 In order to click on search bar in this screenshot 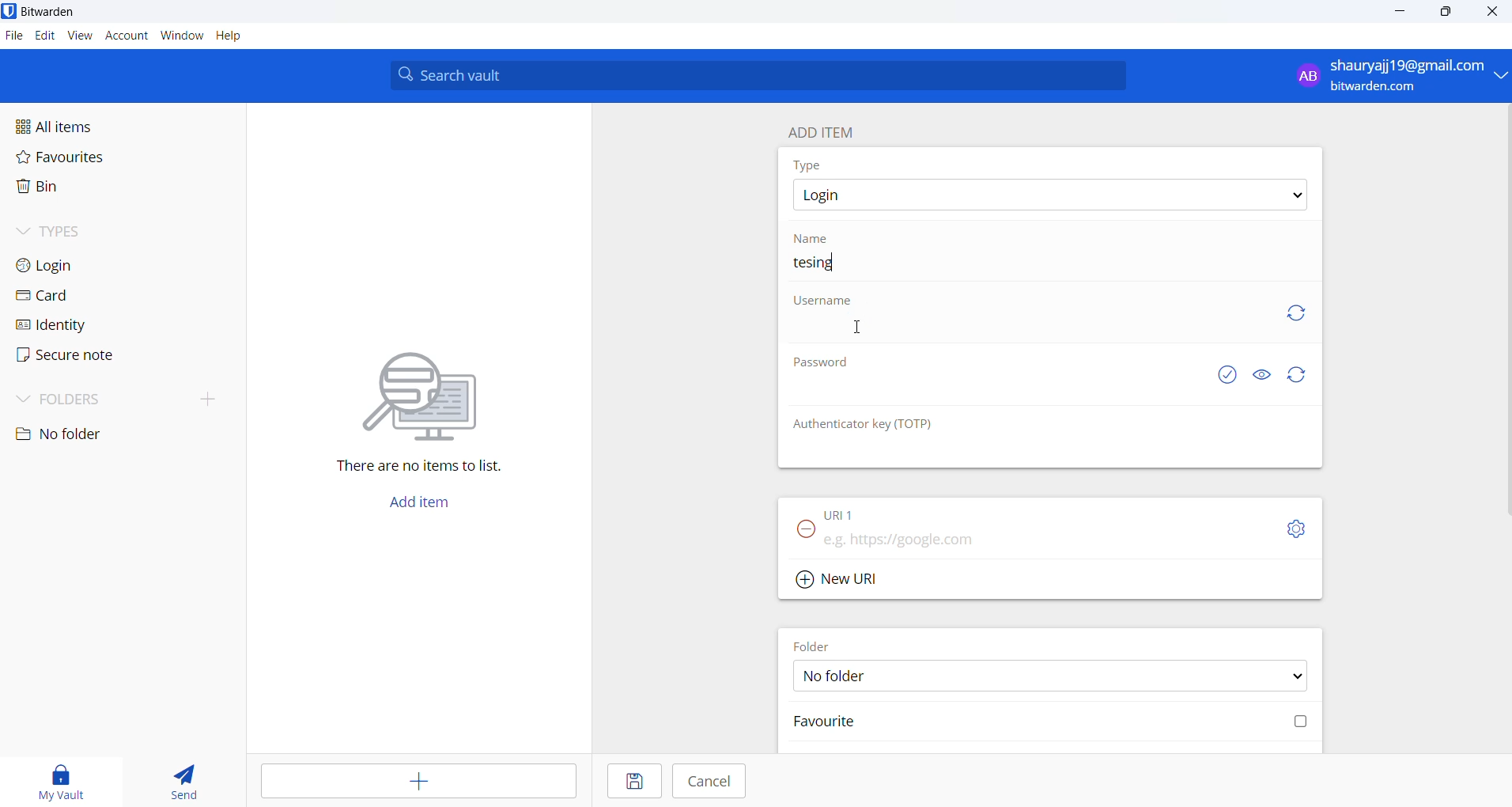, I will do `click(764, 75)`.